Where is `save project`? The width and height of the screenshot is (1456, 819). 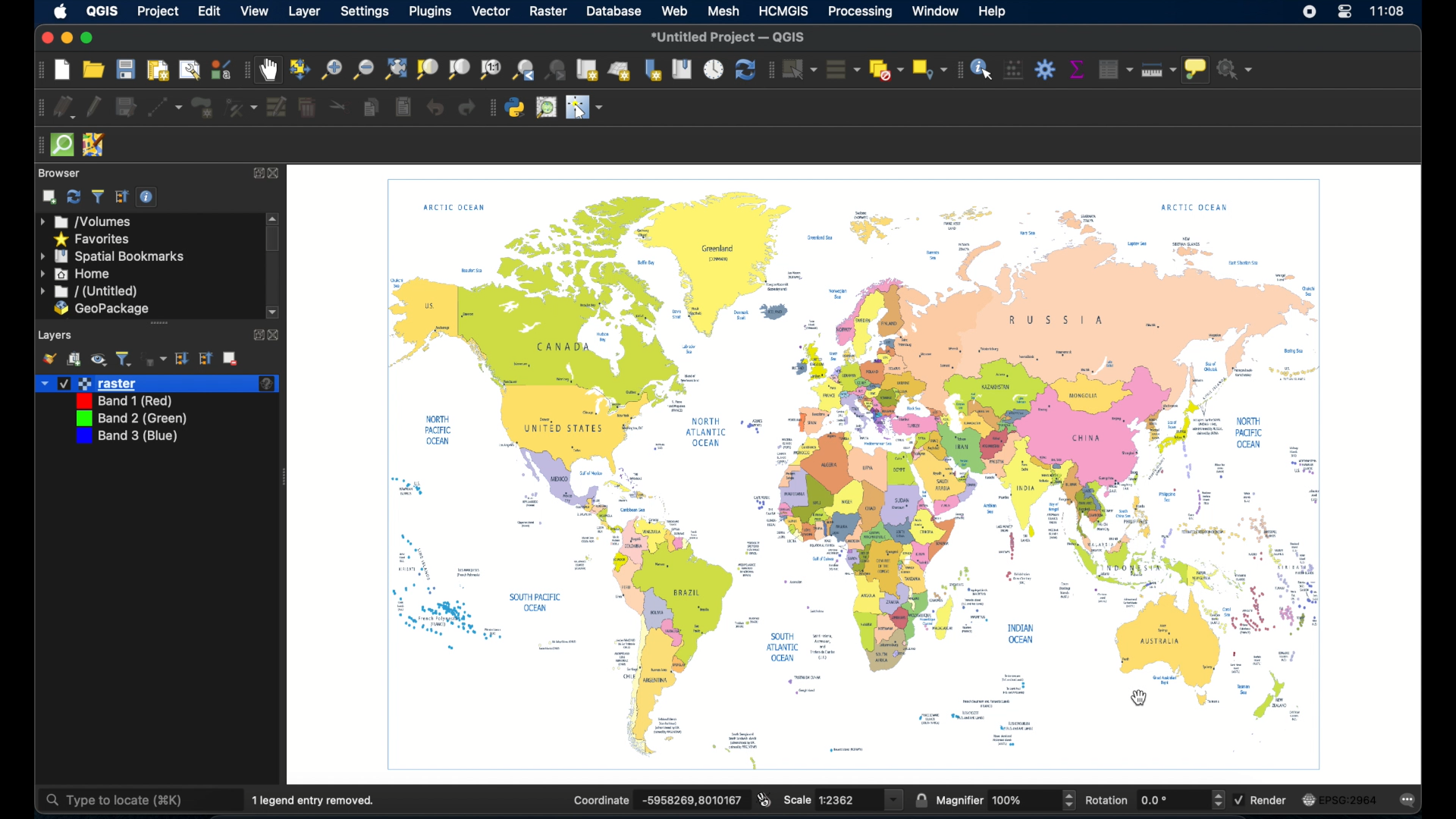 save project is located at coordinates (126, 70).